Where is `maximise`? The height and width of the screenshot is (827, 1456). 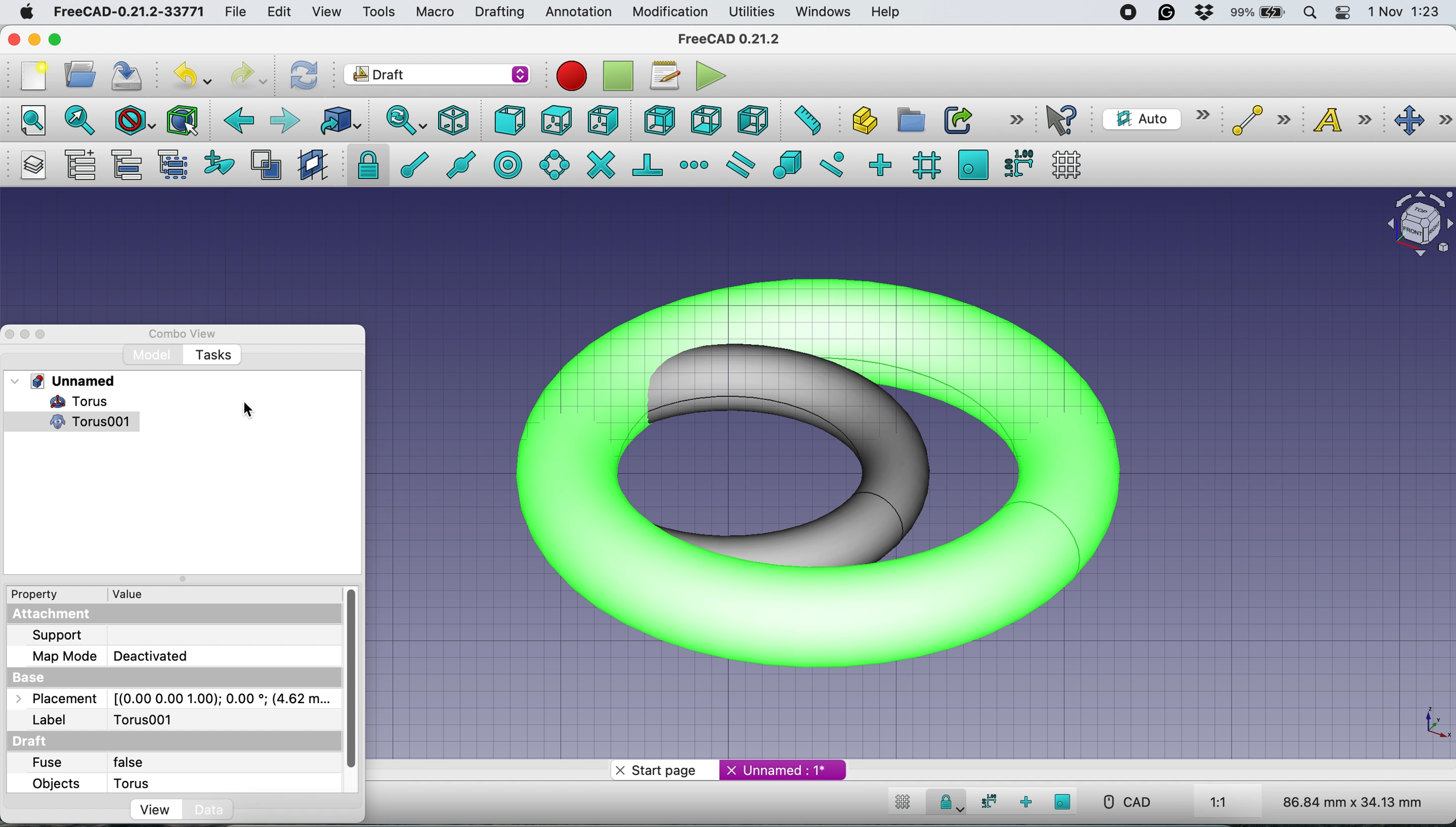 maximise is located at coordinates (57, 40).